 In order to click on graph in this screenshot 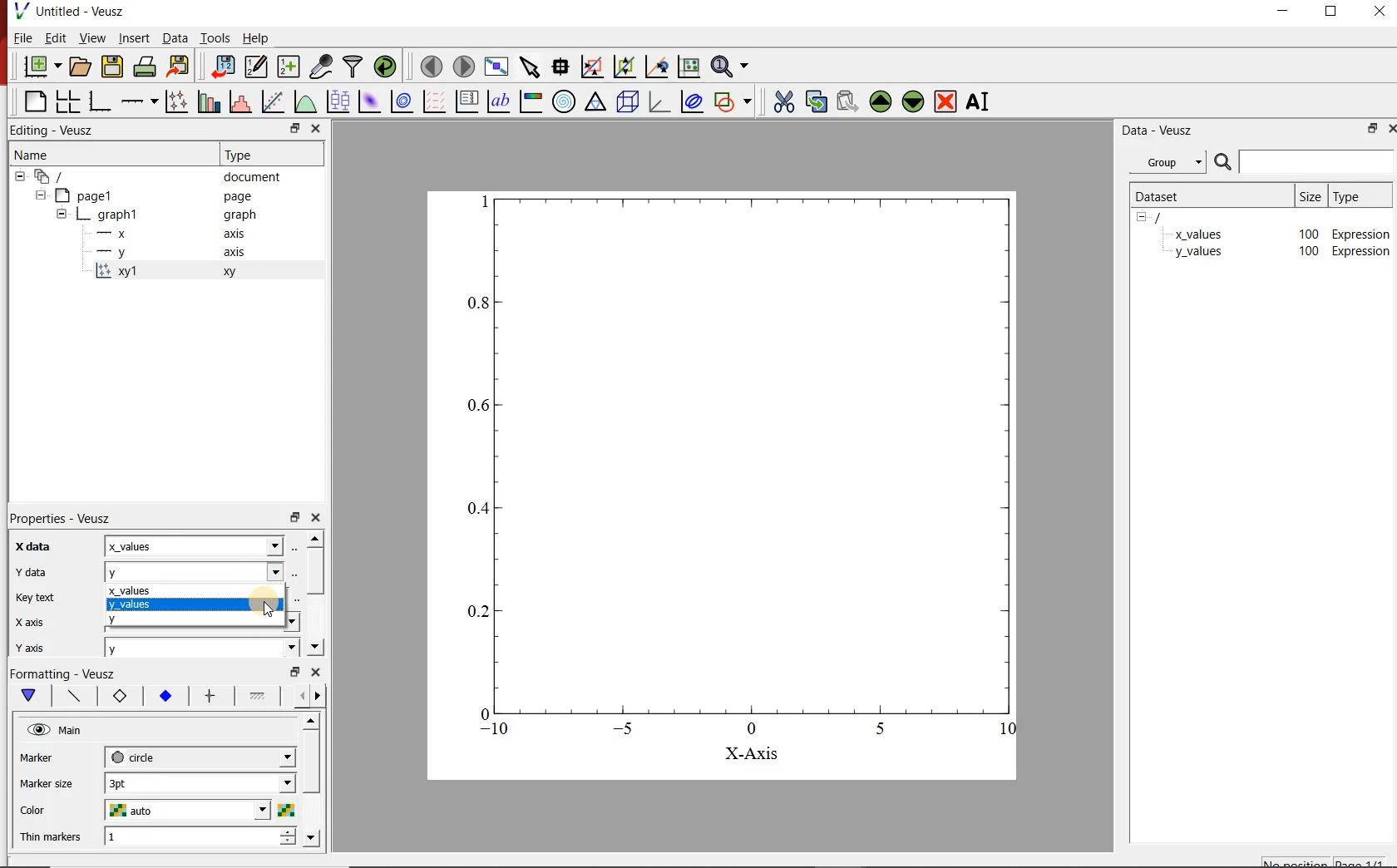, I will do `click(239, 215)`.